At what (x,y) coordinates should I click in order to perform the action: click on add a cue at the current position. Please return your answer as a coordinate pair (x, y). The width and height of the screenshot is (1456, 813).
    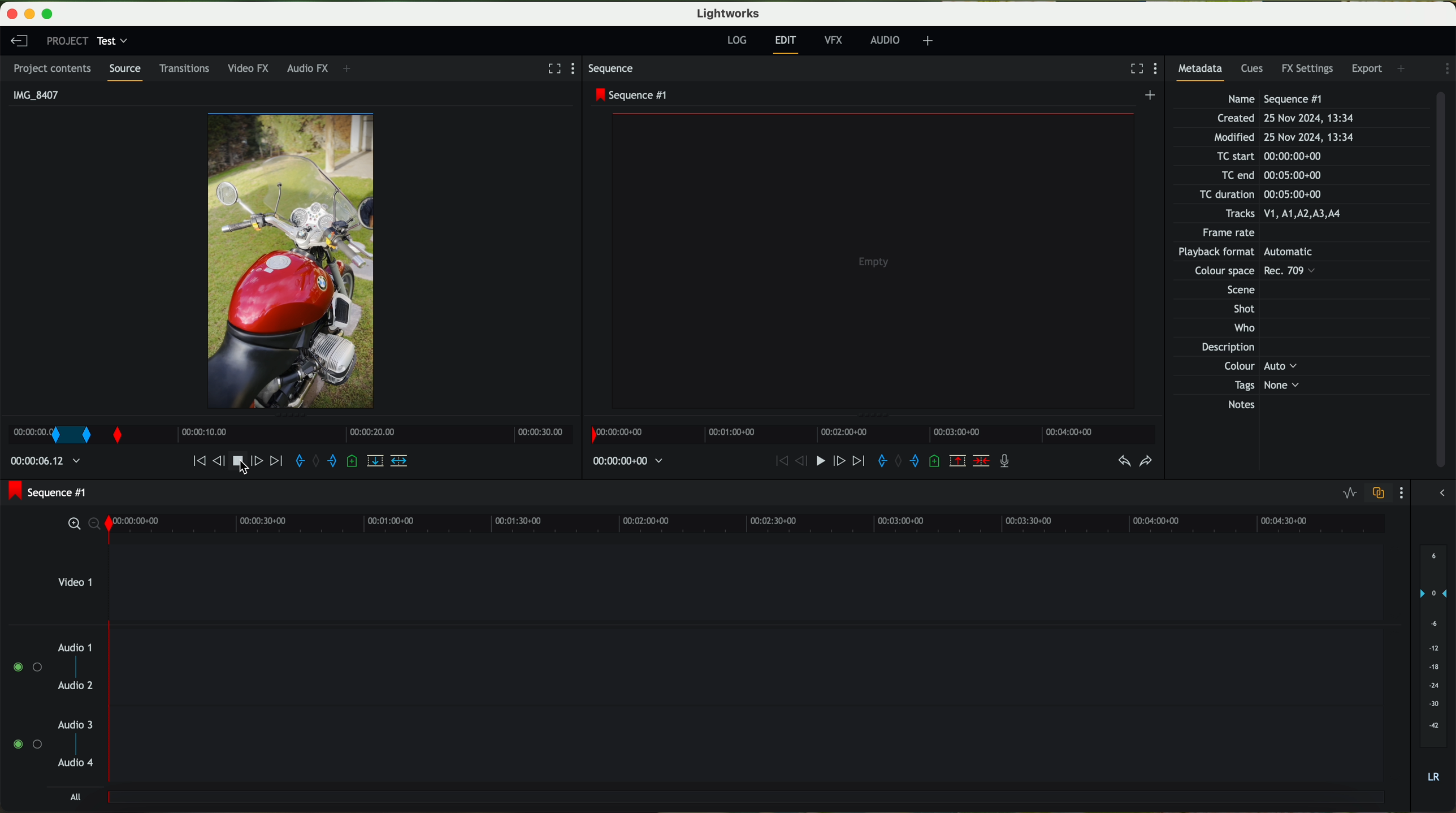
    Looking at the image, I should click on (937, 462).